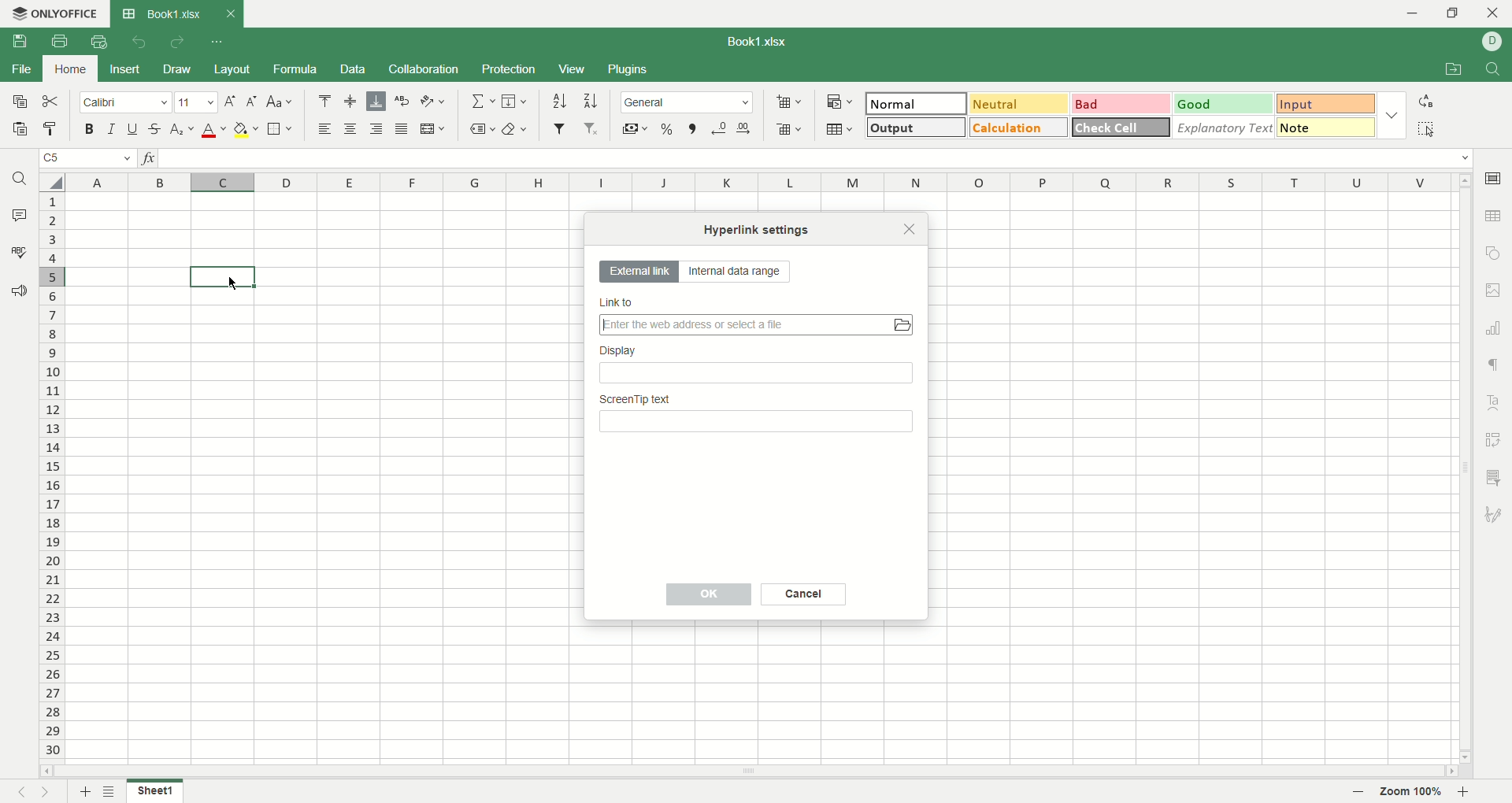  I want to click on cut, so click(54, 102).